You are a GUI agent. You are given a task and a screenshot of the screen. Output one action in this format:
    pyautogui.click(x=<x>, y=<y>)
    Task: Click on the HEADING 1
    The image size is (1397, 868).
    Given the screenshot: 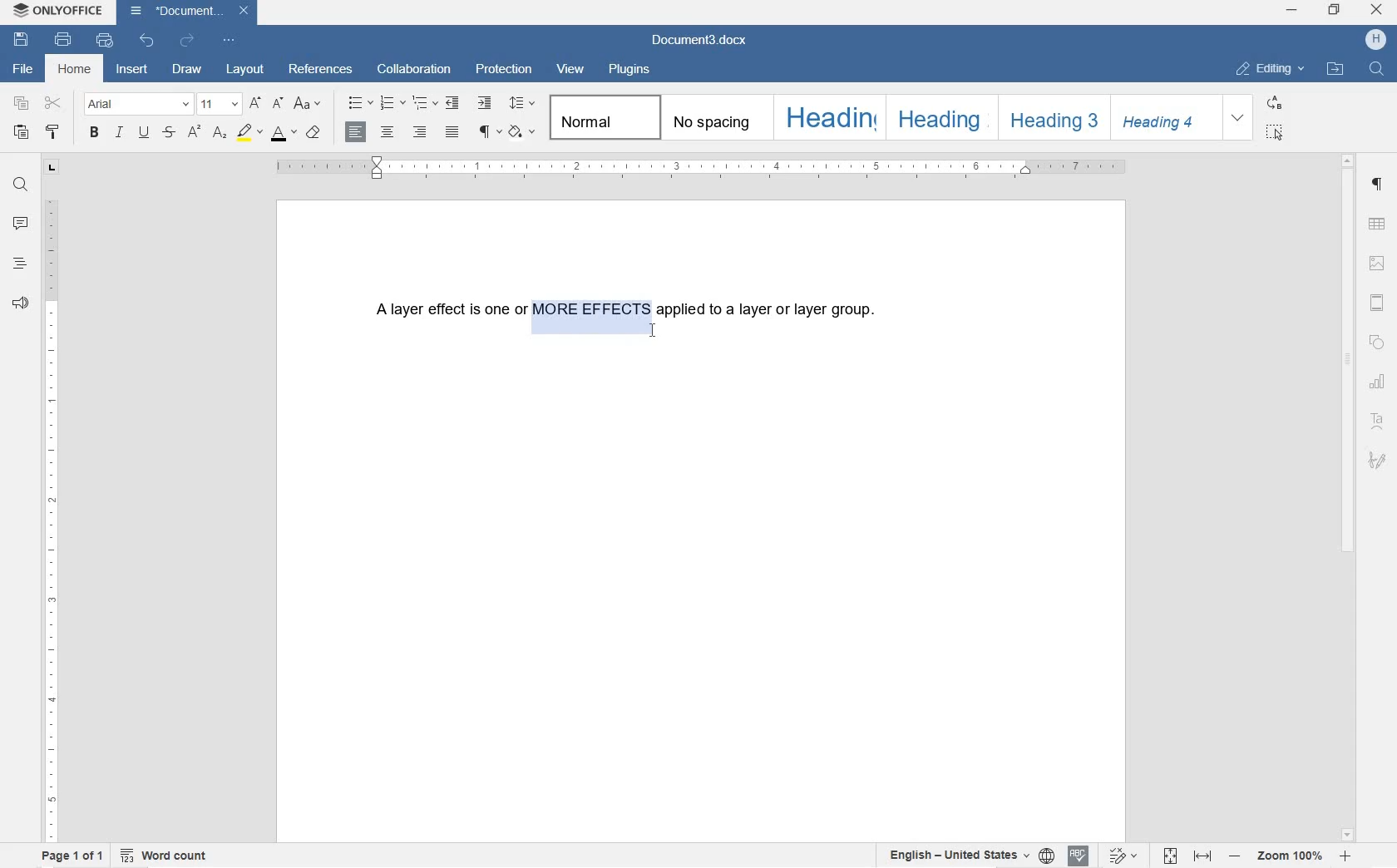 What is the action you would take?
    pyautogui.click(x=827, y=116)
    